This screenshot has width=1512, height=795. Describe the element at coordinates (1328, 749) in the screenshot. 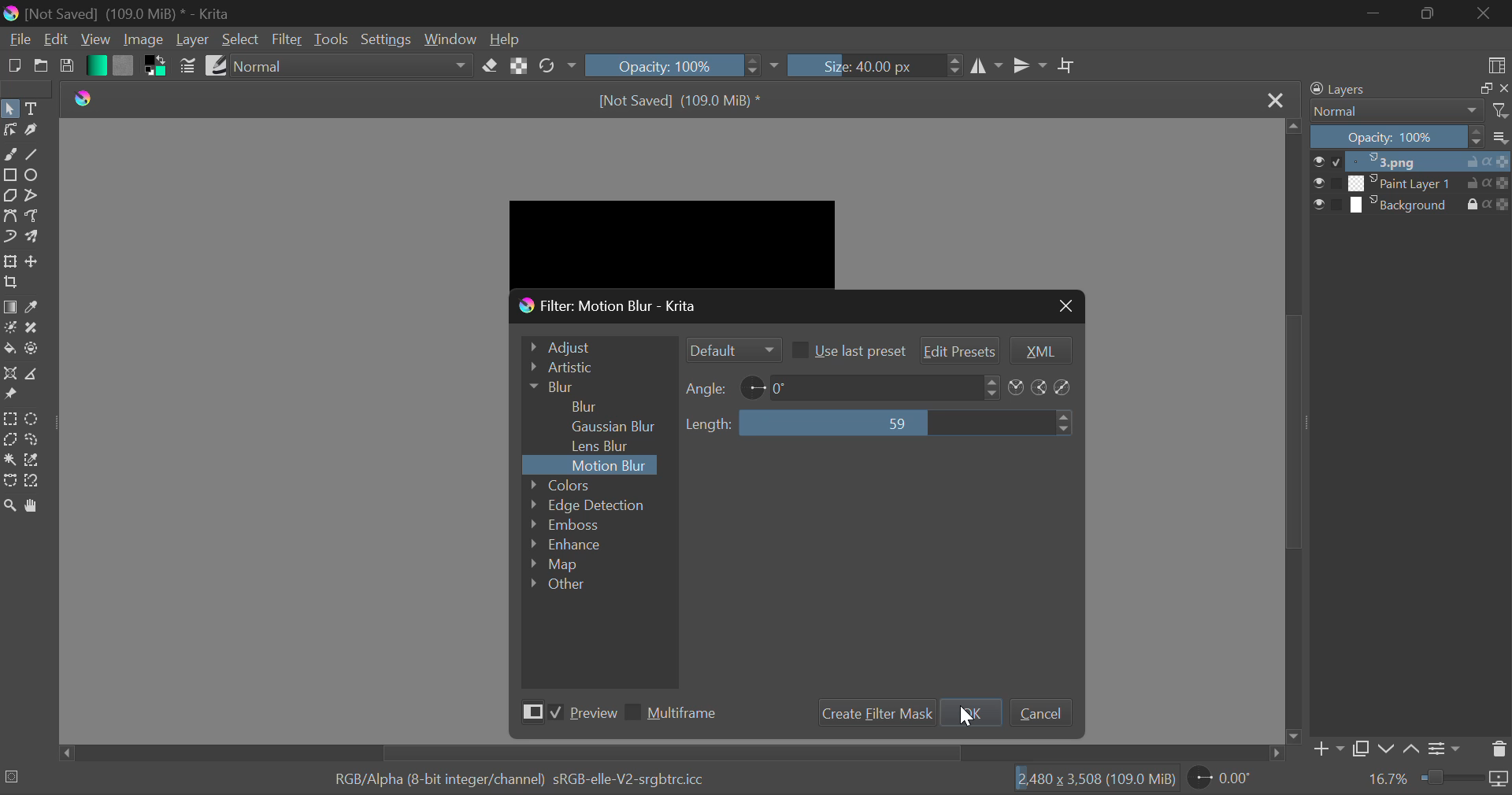

I see `Add Layer` at that location.